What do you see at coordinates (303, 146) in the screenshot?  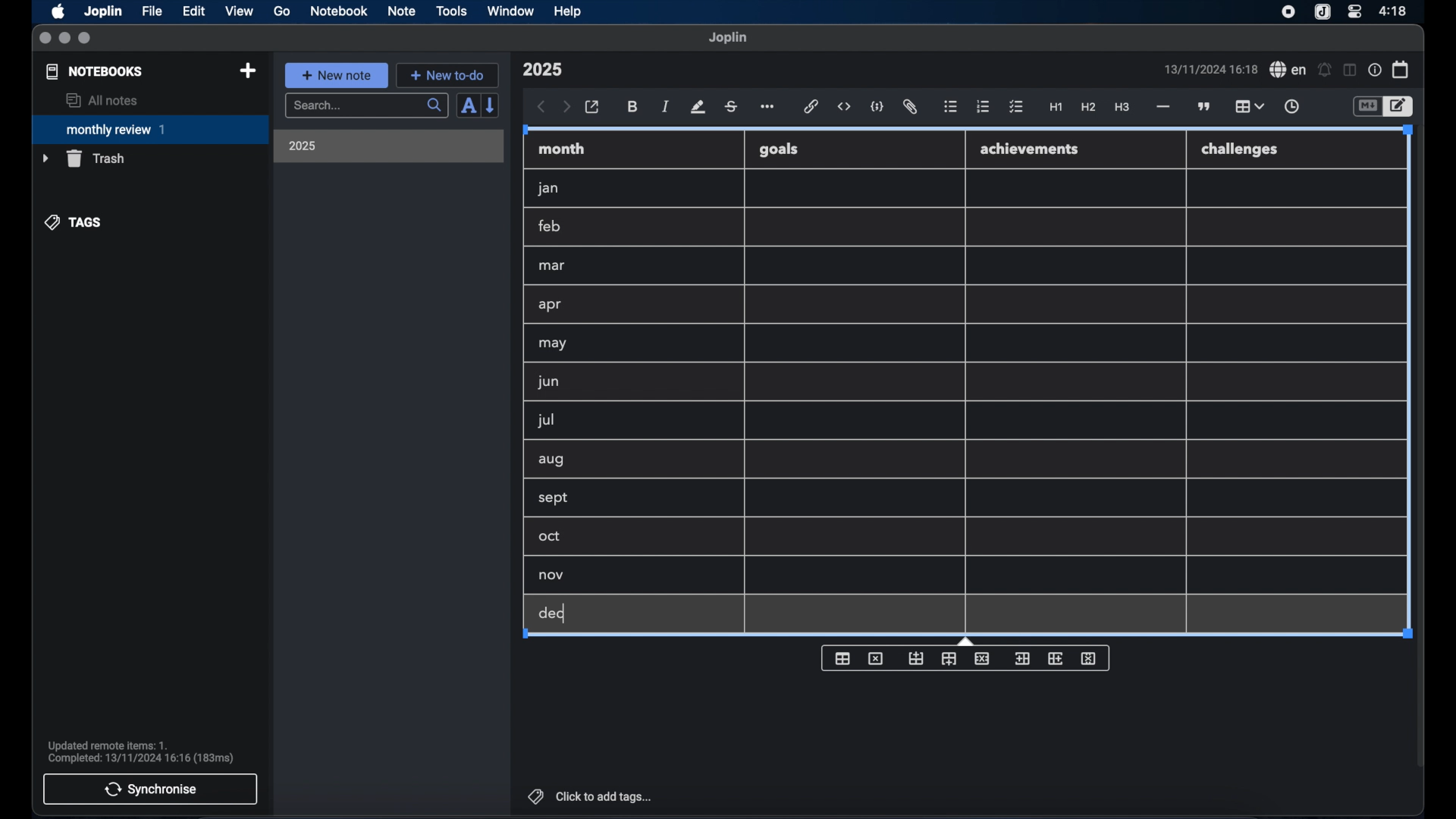 I see `2025` at bounding box center [303, 146].